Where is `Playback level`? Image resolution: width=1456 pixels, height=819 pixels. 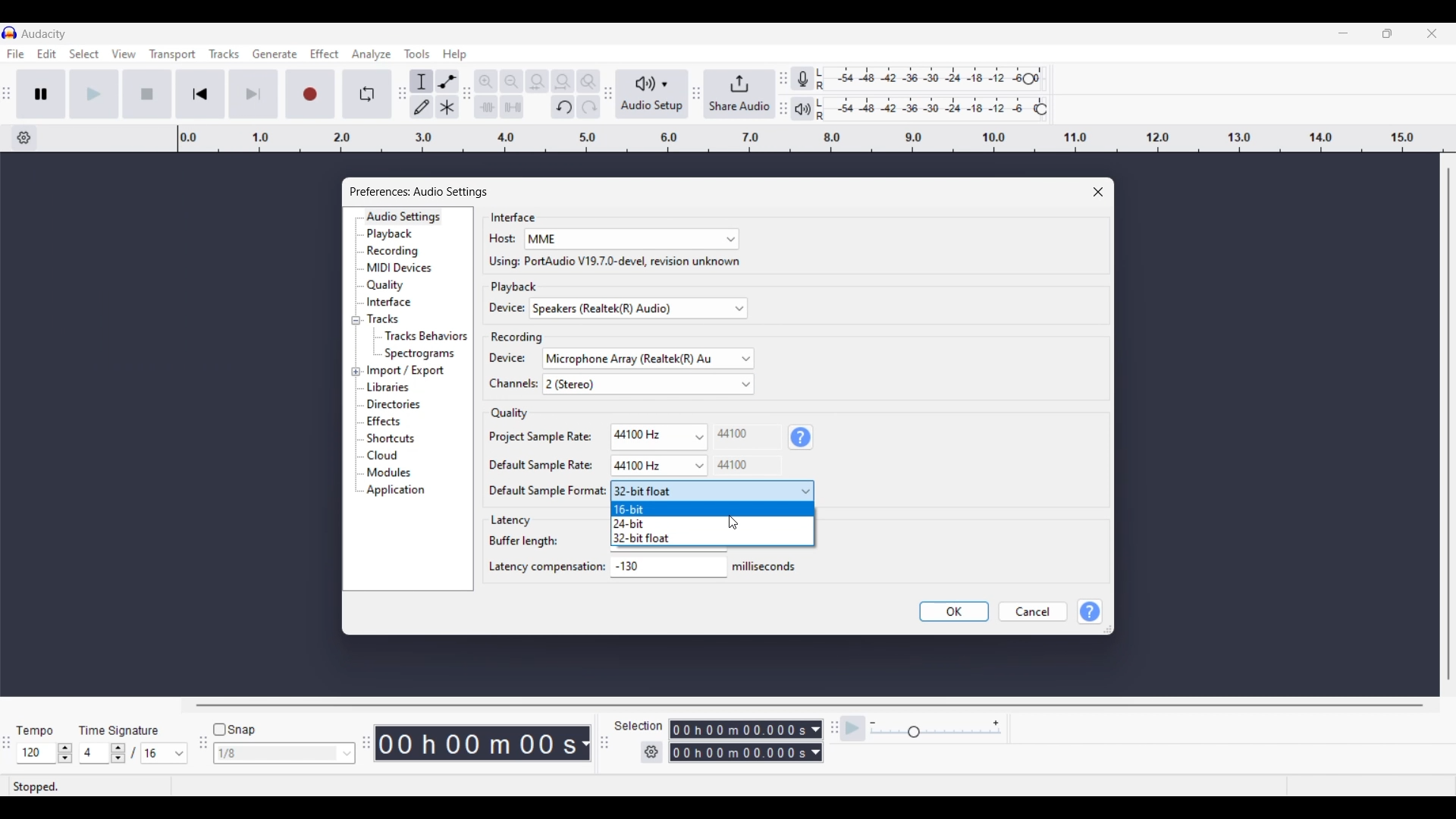 Playback level is located at coordinates (935, 108).